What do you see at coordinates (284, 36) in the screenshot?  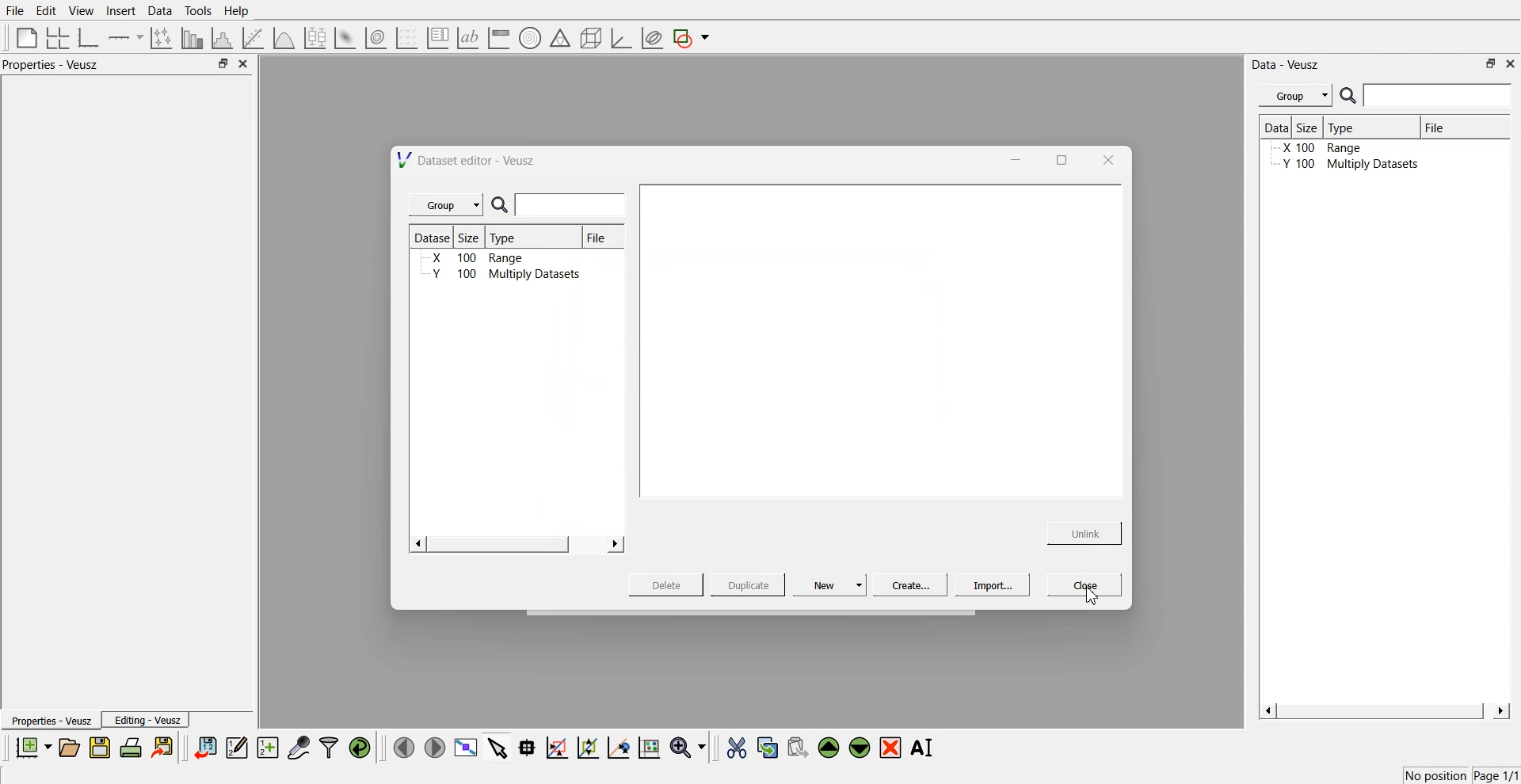 I see `plot a function on a graph` at bounding box center [284, 36].